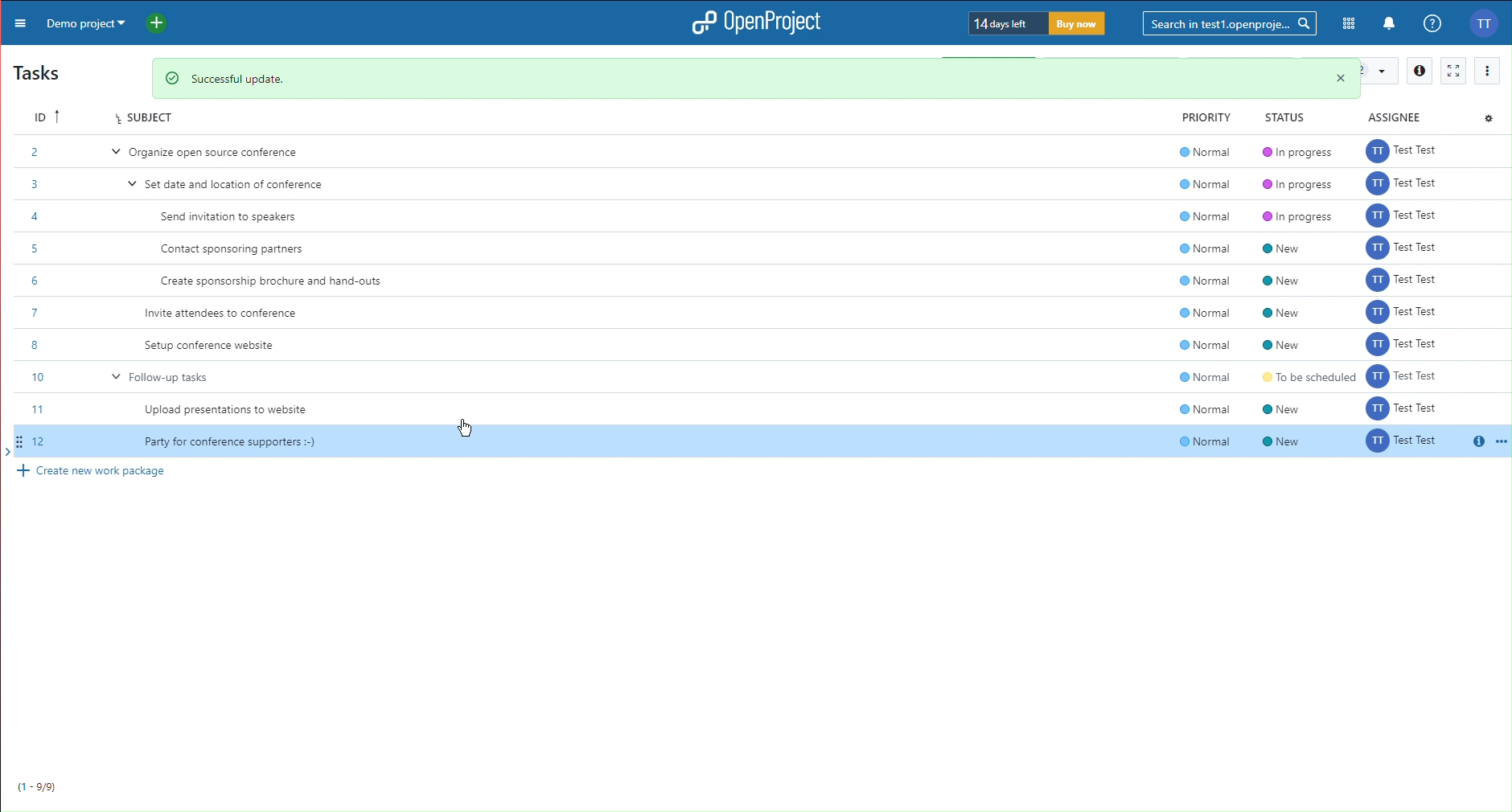 The width and height of the screenshot is (1512, 812). What do you see at coordinates (1038, 23) in the screenshot?
I see `Trial timer` at bounding box center [1038, 23].